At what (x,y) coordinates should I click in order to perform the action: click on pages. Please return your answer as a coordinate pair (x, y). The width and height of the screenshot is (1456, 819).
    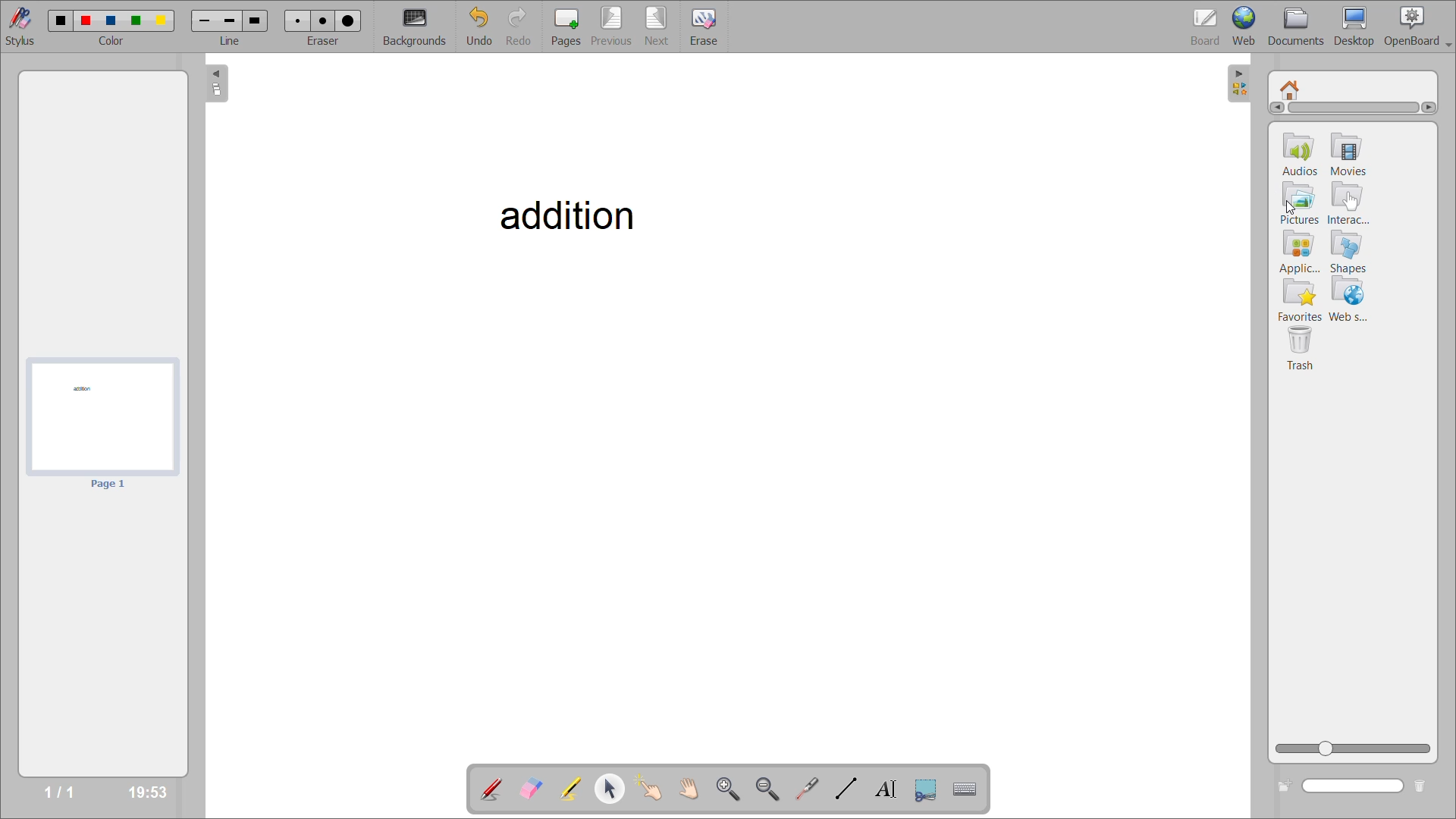
    Looking at the image, I should click on (565, 27).